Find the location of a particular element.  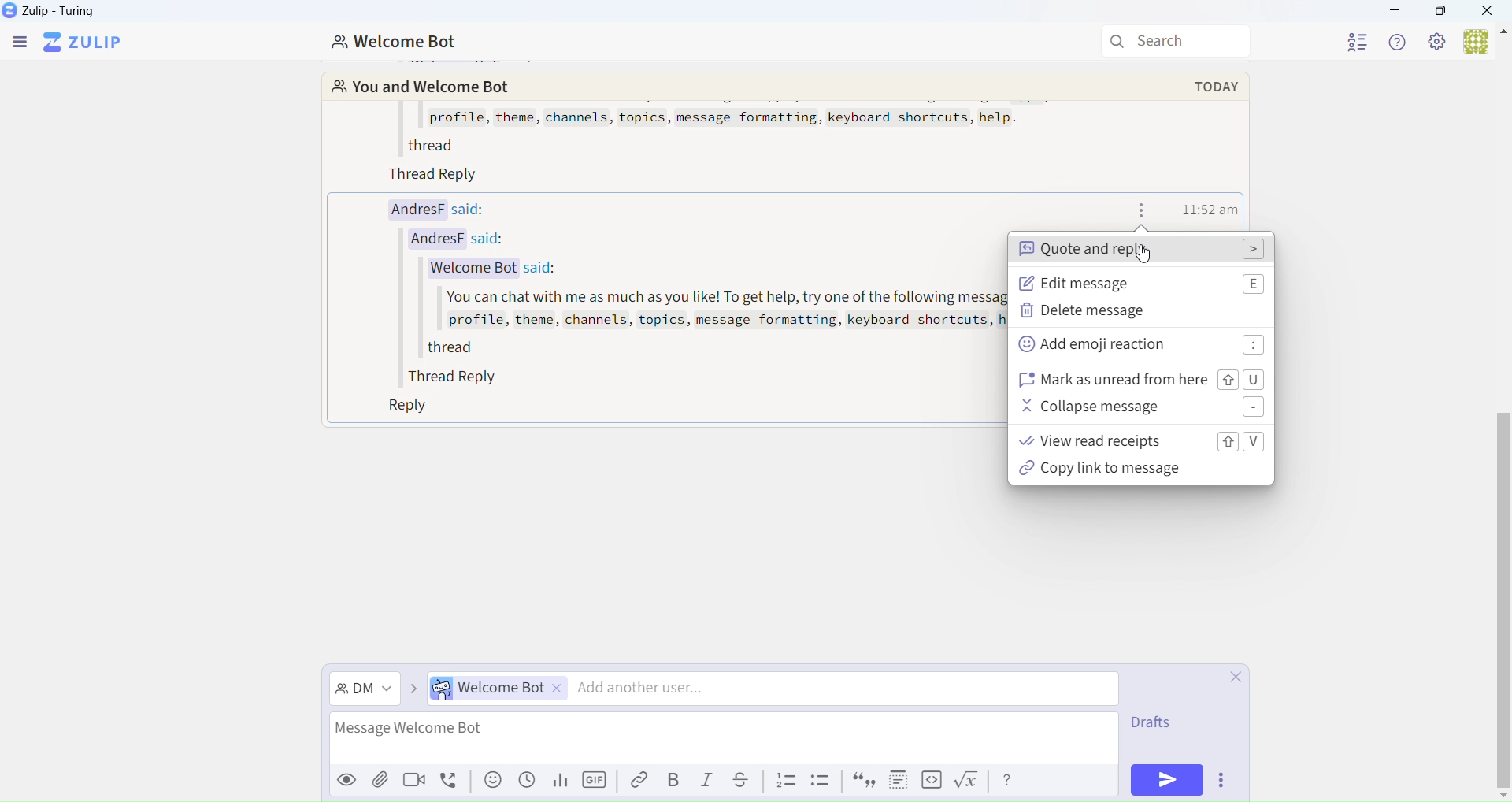

copy link to message is located at coordinates (1141, 470).